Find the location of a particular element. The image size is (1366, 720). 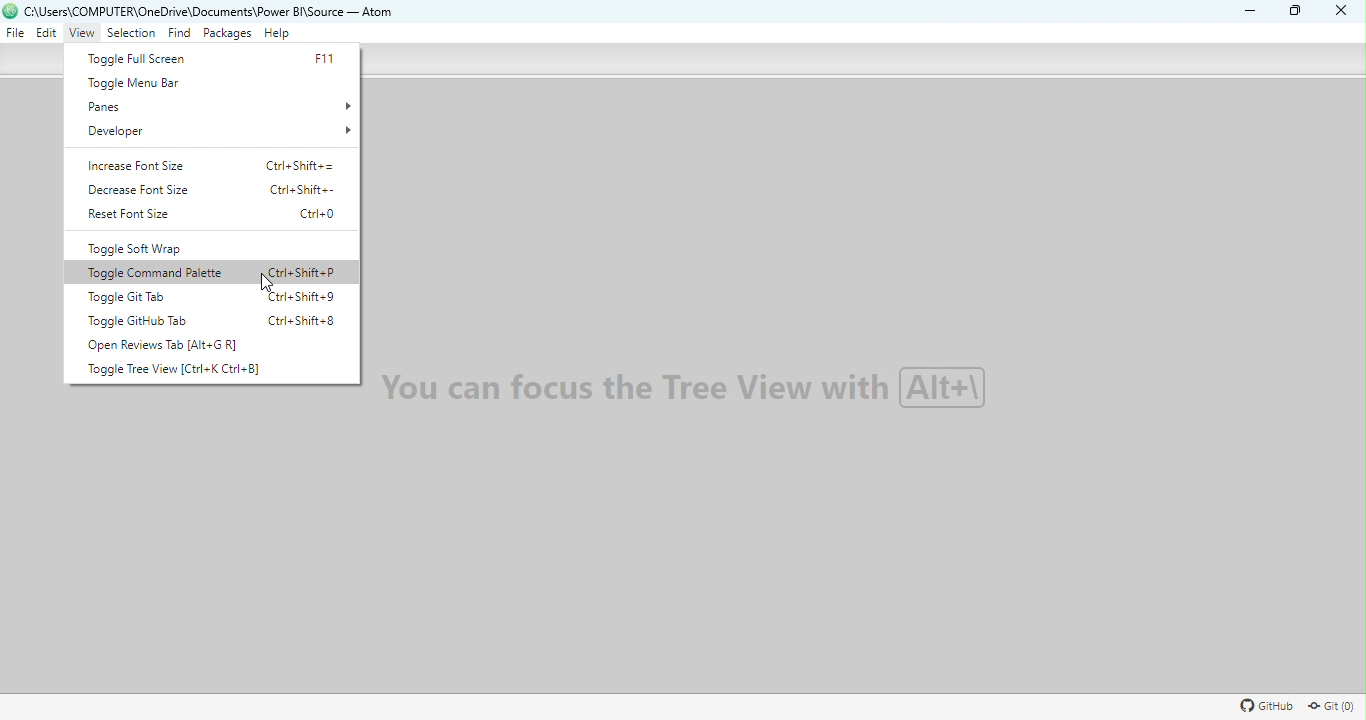

File is located at coordinates (15, 33).